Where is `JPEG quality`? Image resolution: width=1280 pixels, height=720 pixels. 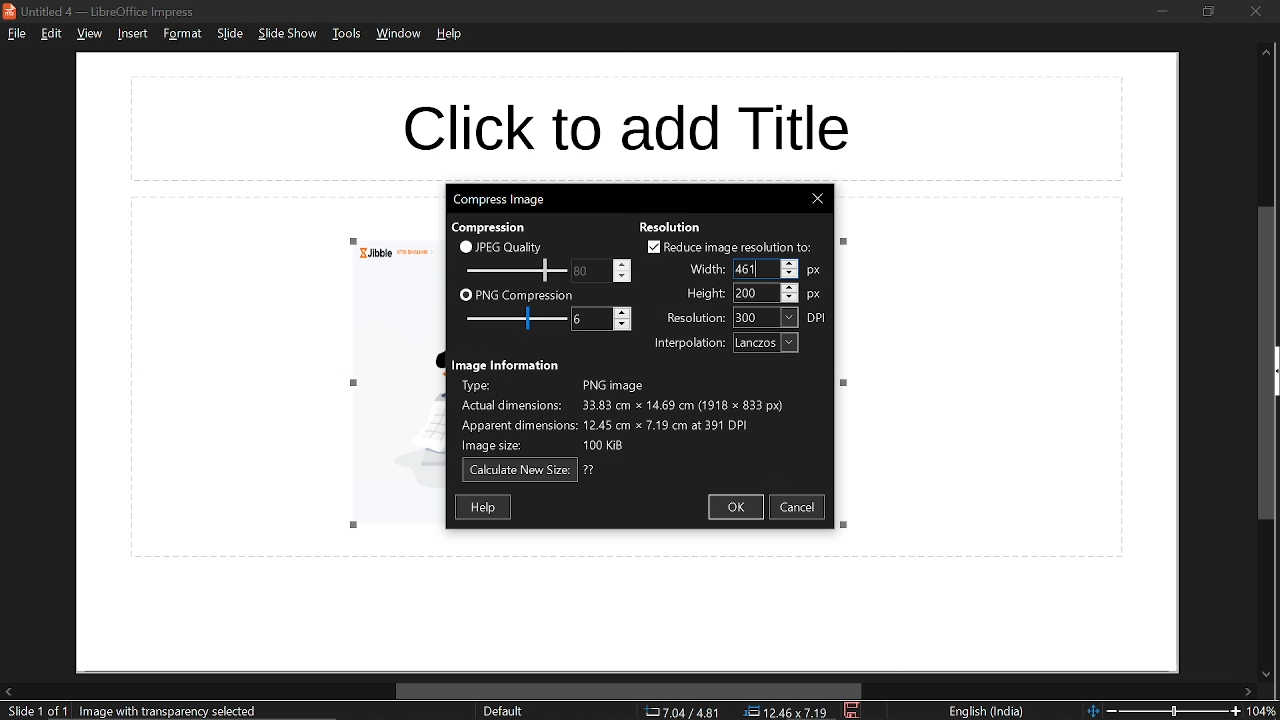
JPEG quality is located at coordinates (512, 247).